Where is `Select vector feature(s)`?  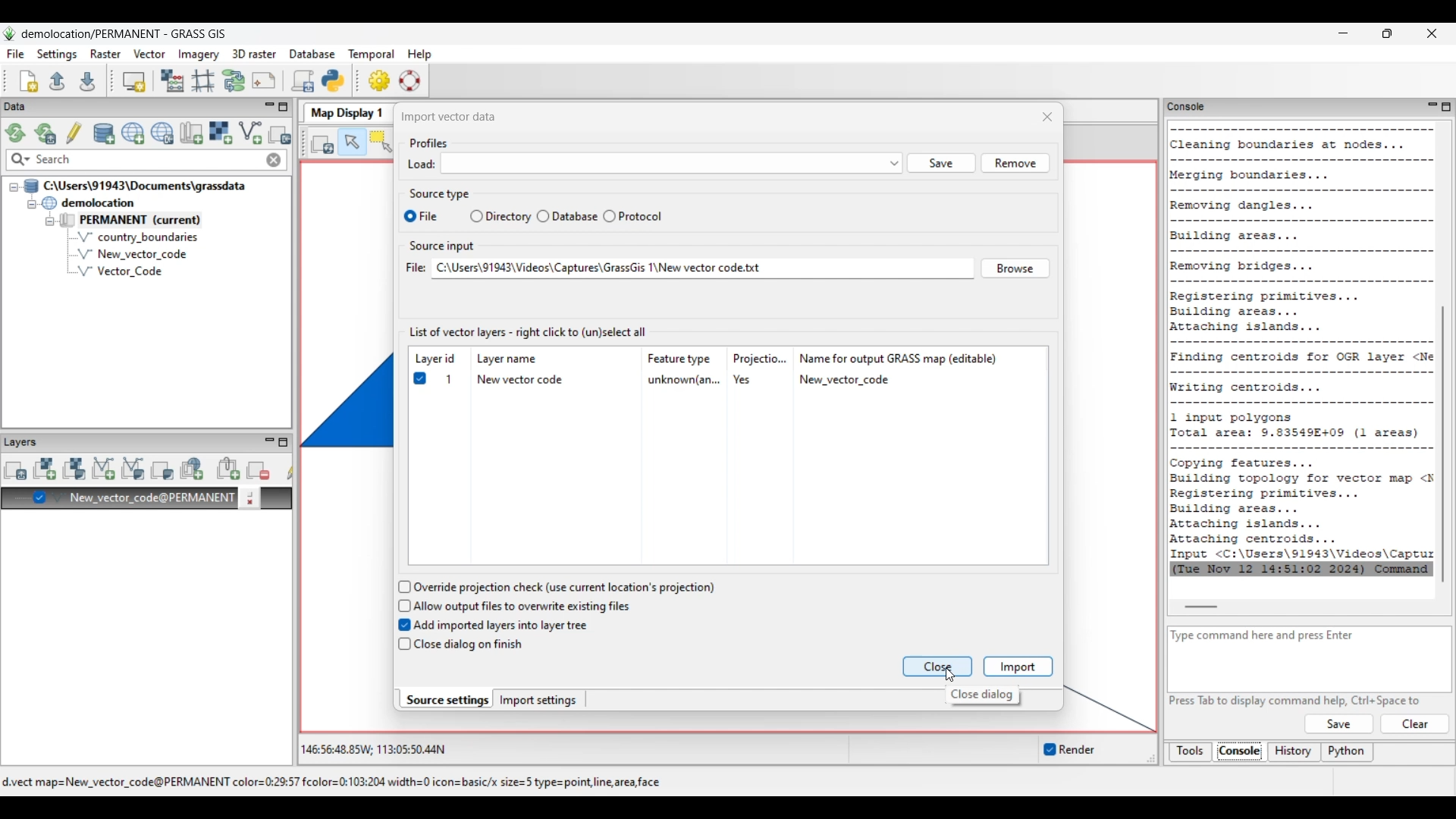 Select vector feature(s) is located at coordinates (381, 143).